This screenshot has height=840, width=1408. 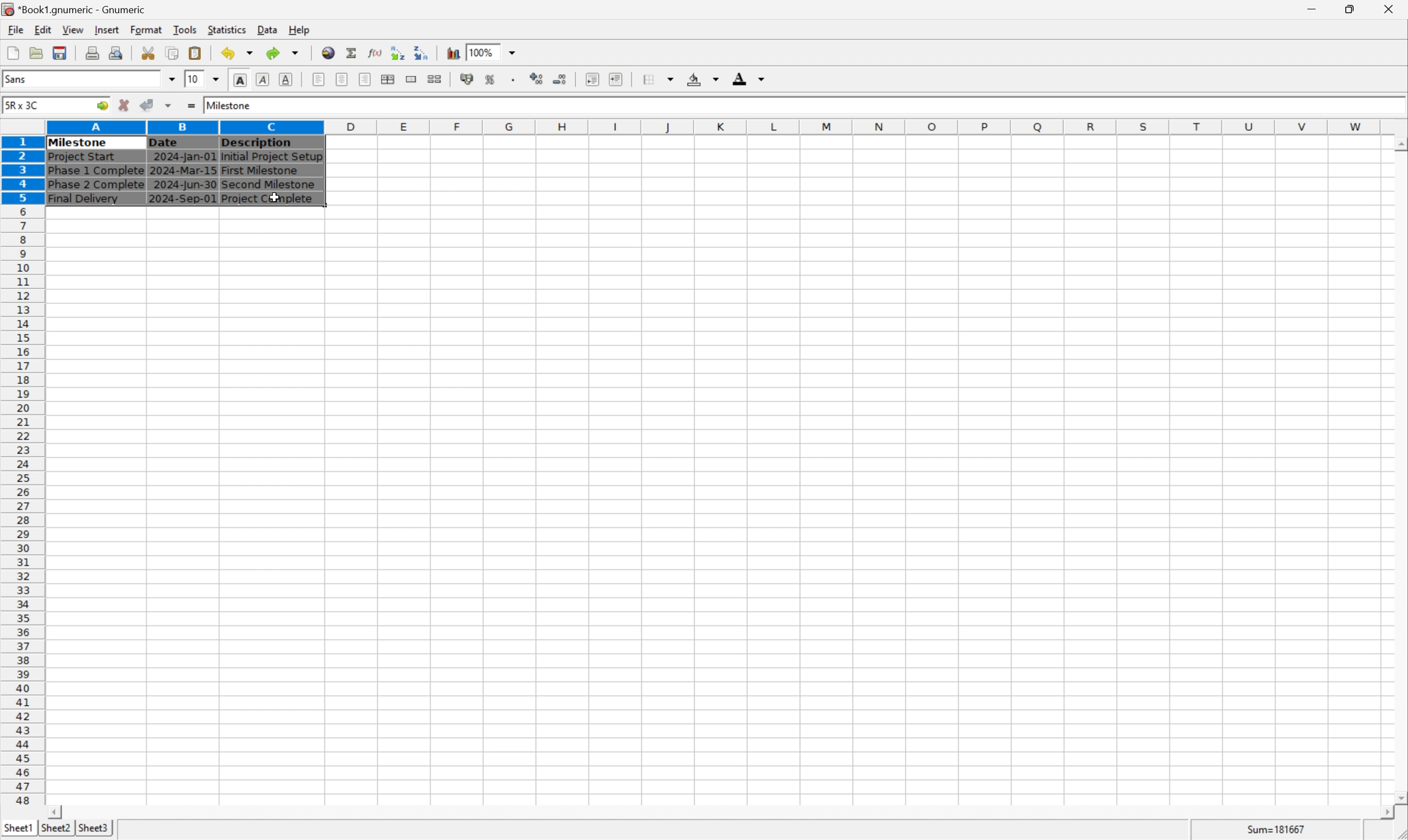 I want to click on Sum=181667, so click(x=1278, y=828).